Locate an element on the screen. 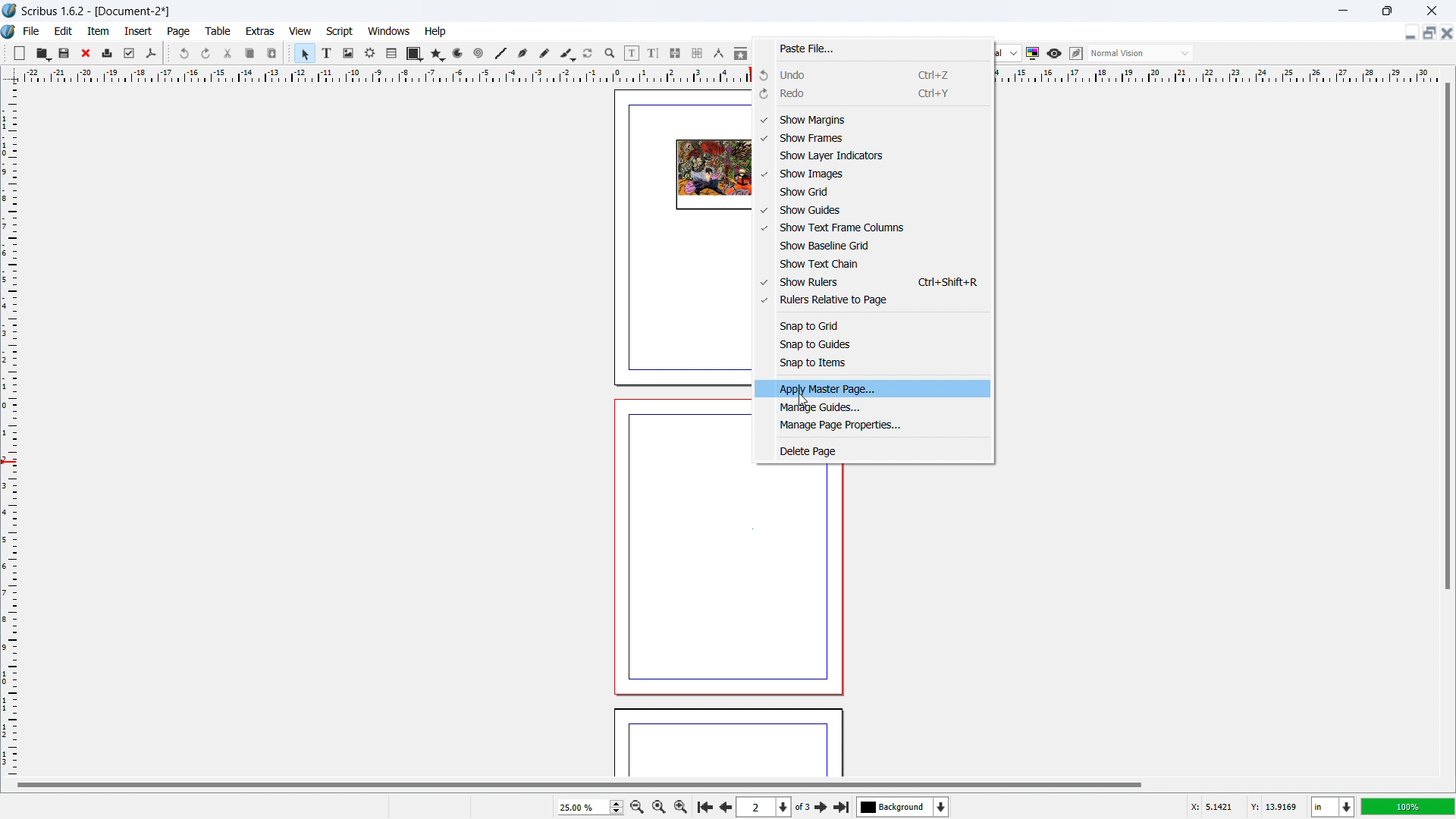  vertical scroll bar is located at coordinates (1445, 339).